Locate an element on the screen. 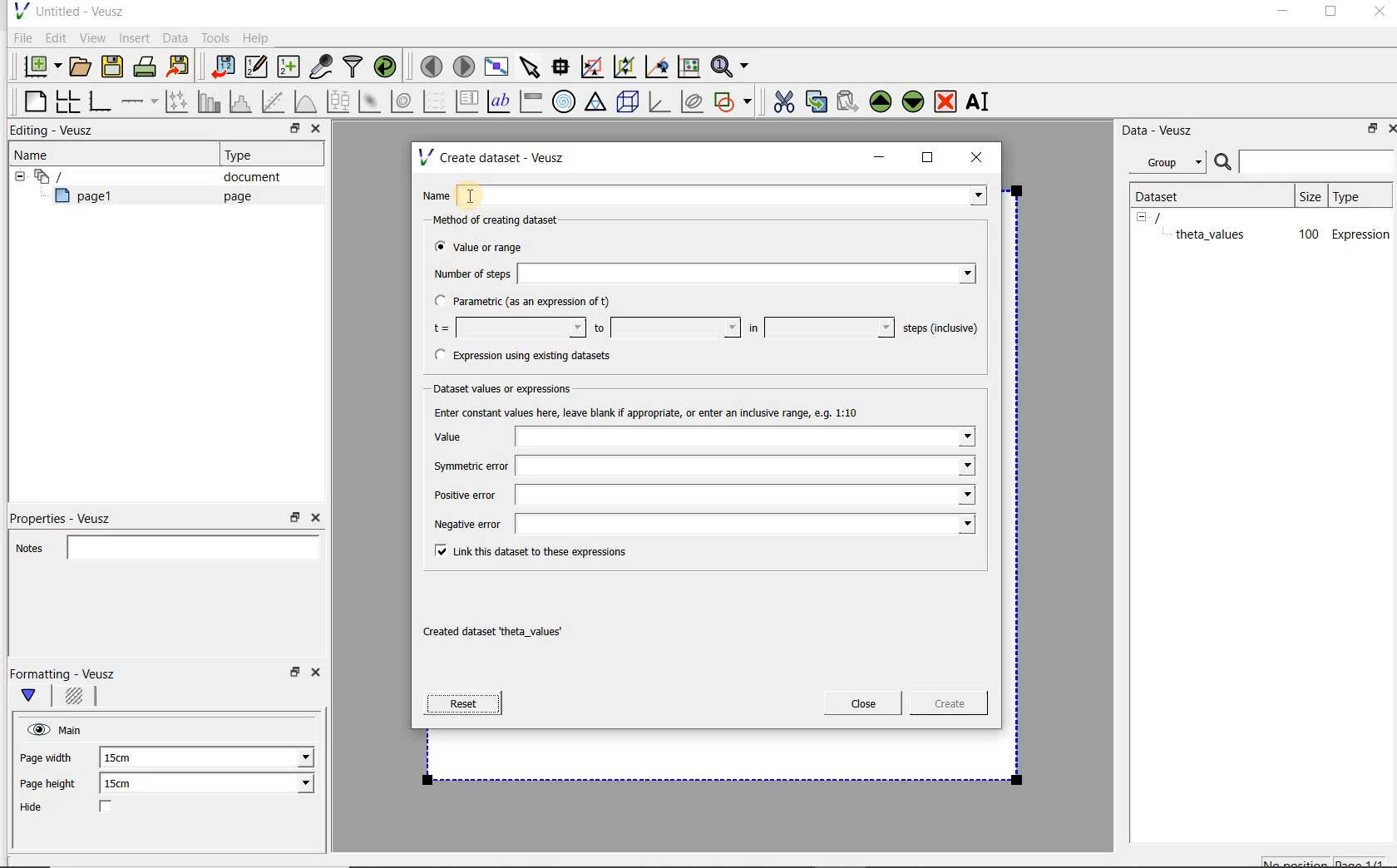  to is located at coordinates (665, 328).